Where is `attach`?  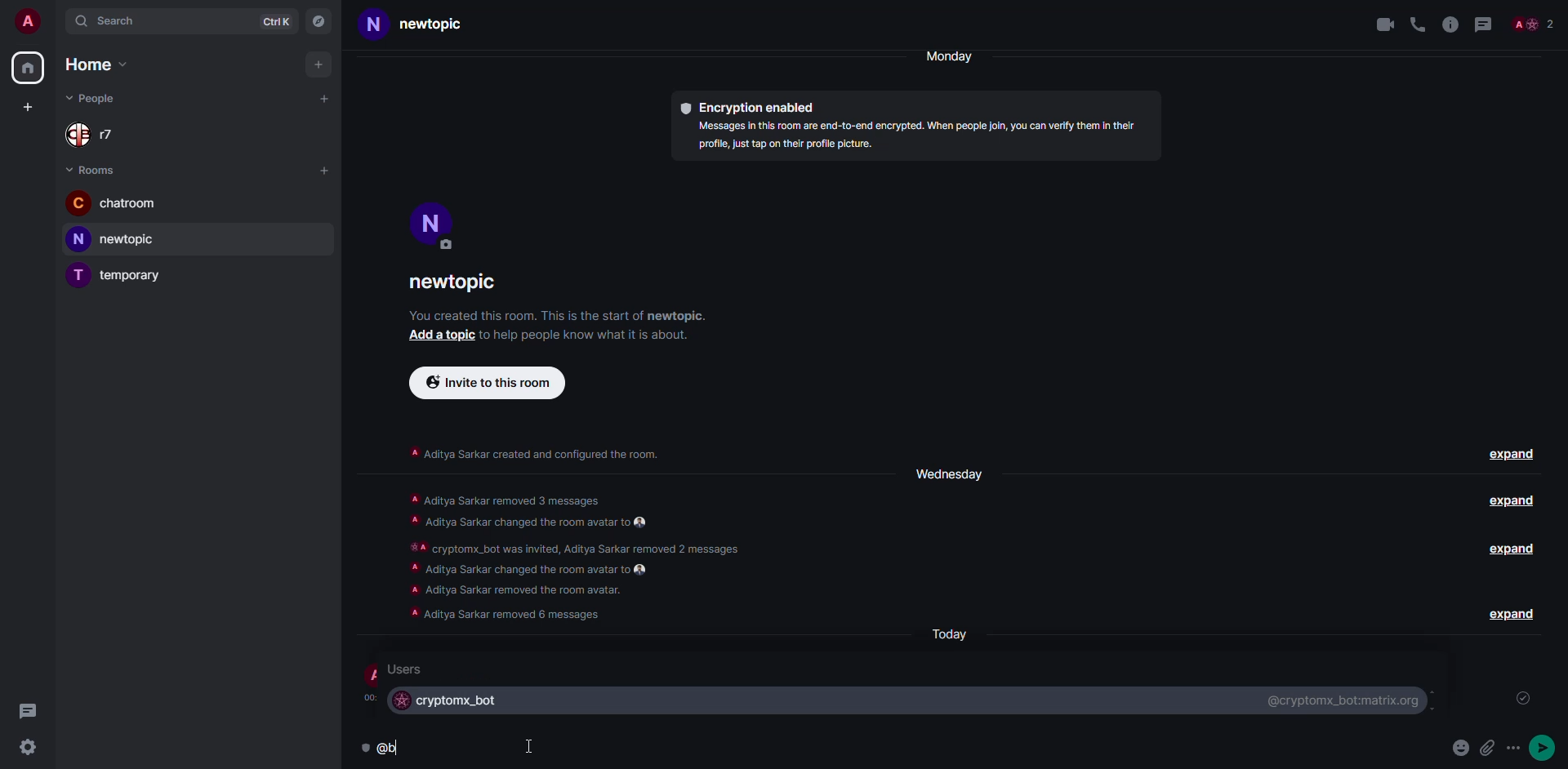 attach is located at coordinates (1490, 748).